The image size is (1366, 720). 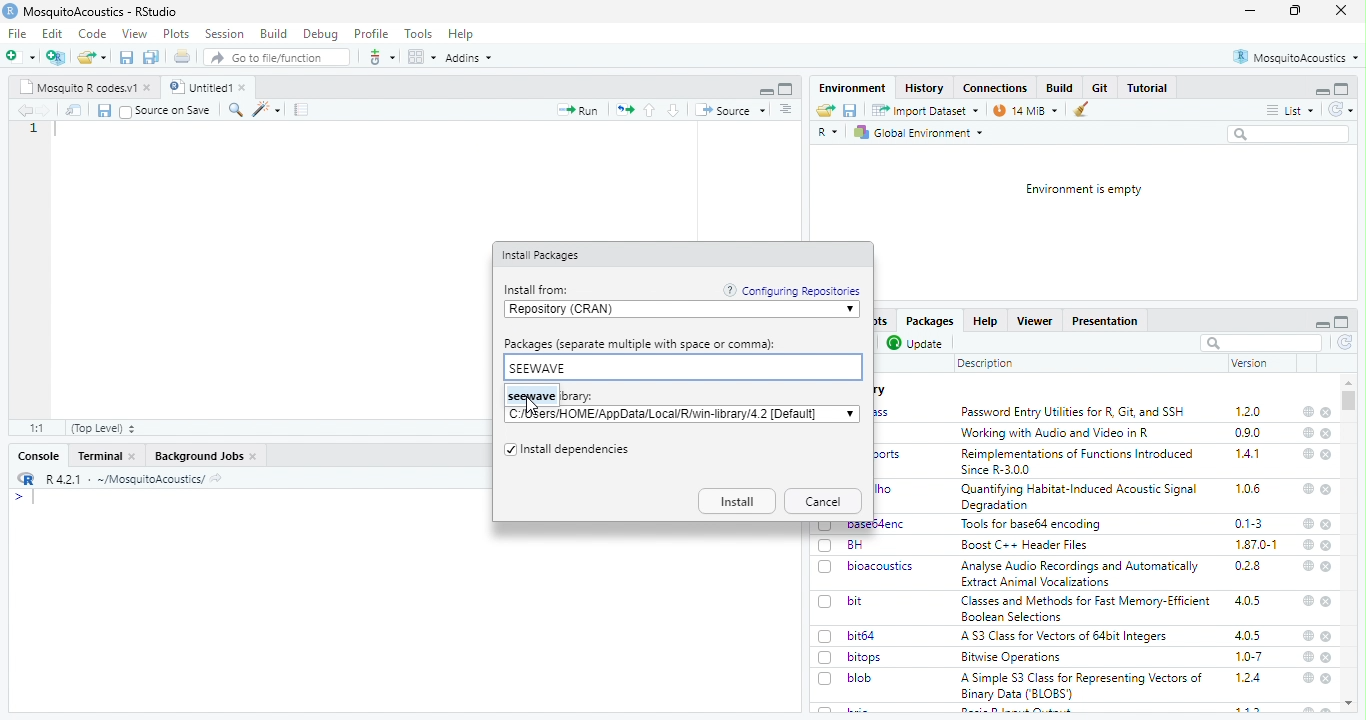 What do you see at coordinates (577, 451) in the screenshot?
I see `Install dependencies` at bounding box center [577, 451].